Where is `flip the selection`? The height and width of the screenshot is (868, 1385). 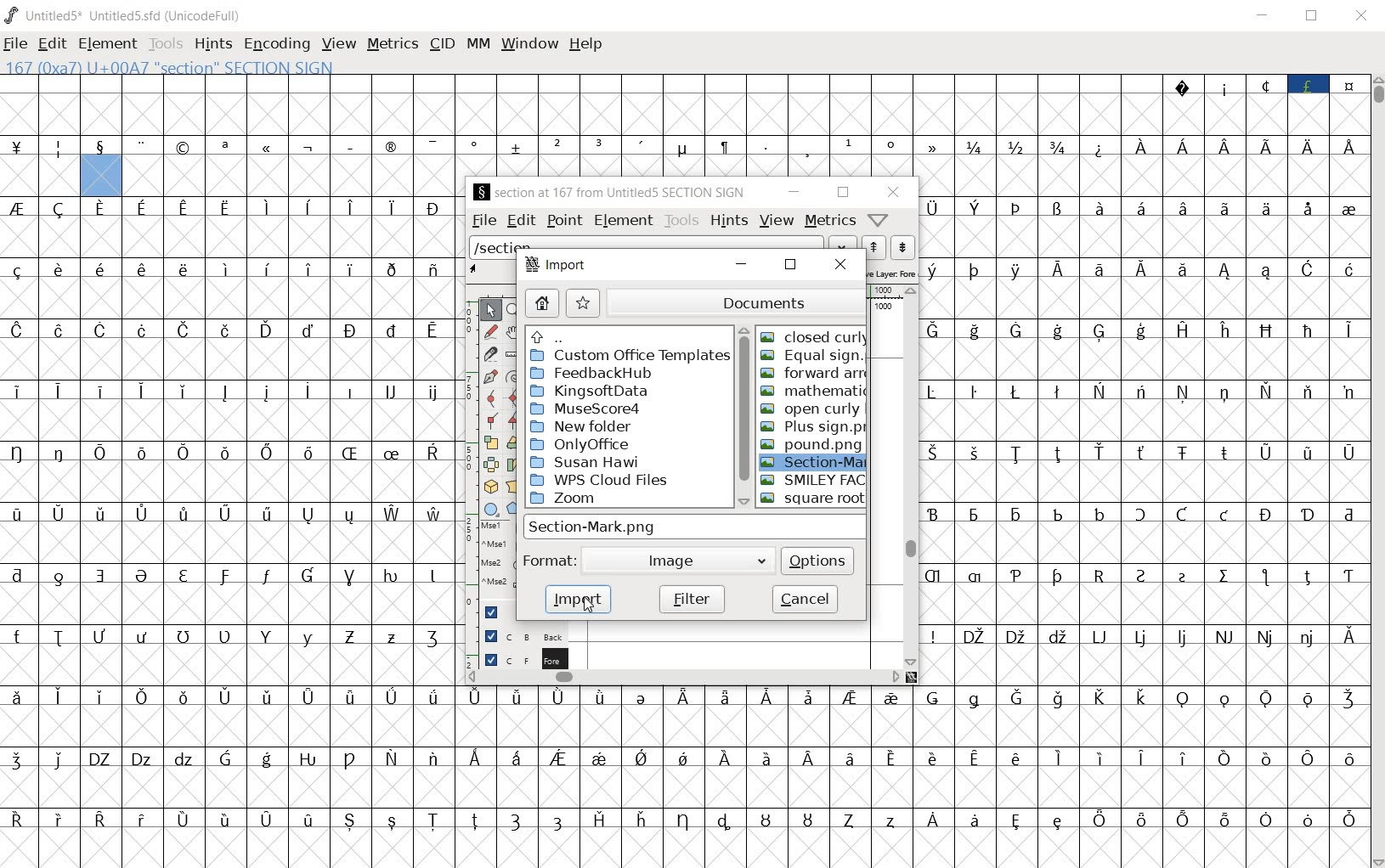 flip the selection is located at coordinates (490, 464).